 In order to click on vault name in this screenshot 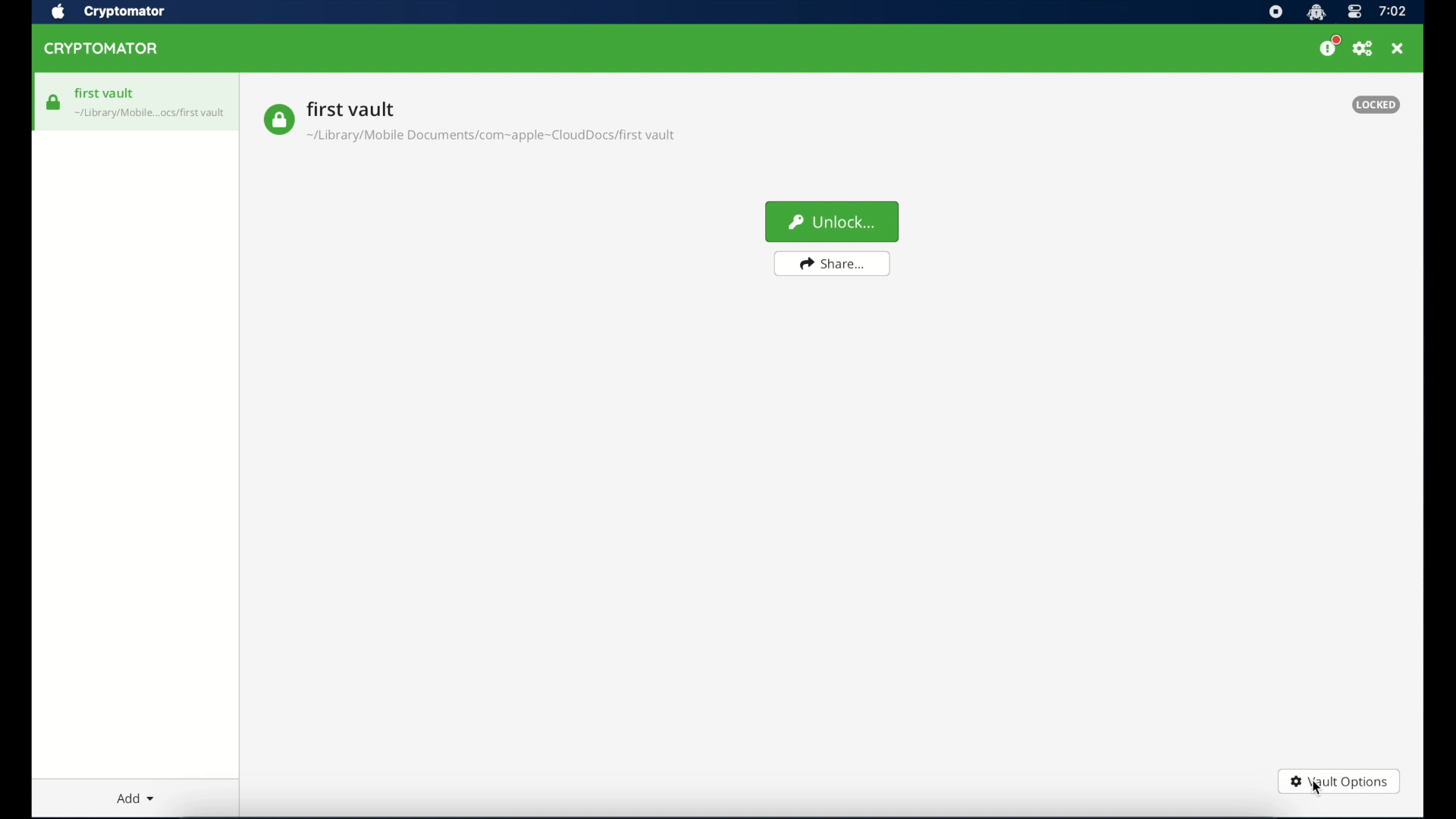, I will do `click(351, 108)`.